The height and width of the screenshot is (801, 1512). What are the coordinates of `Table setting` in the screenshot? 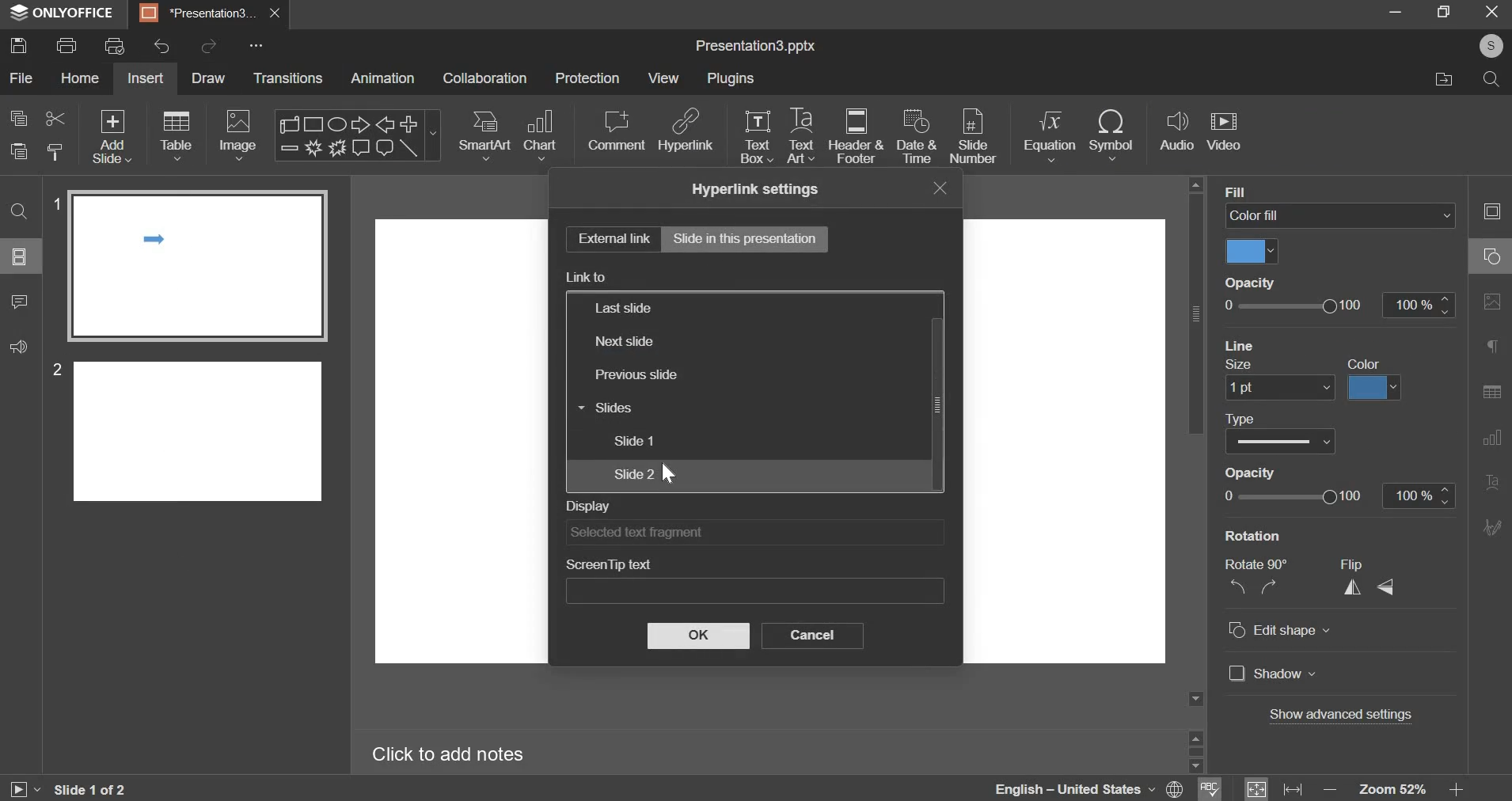 It's located at (1492, 394).